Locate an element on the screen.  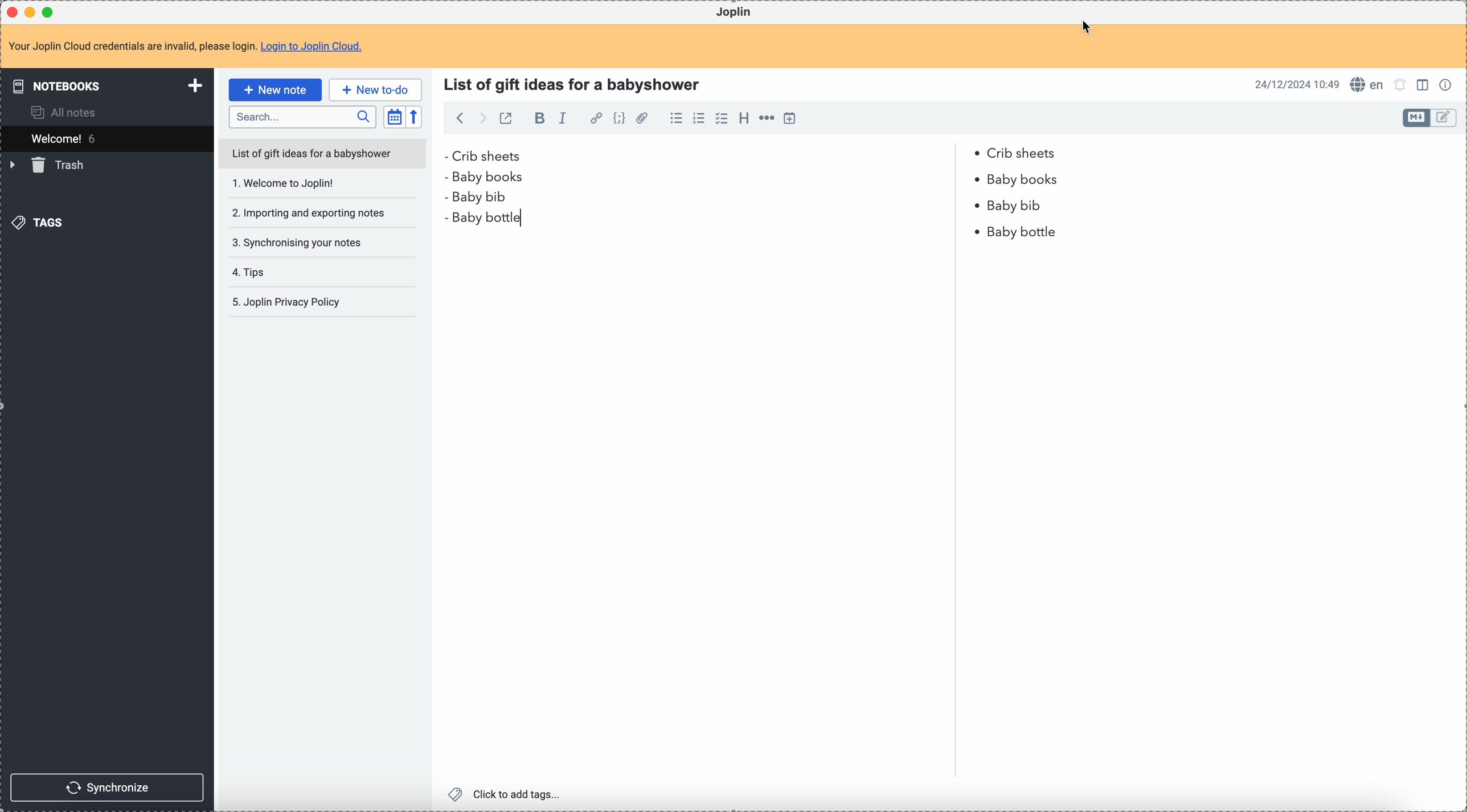
minimize Joplin is located at coordinates (32, 12).